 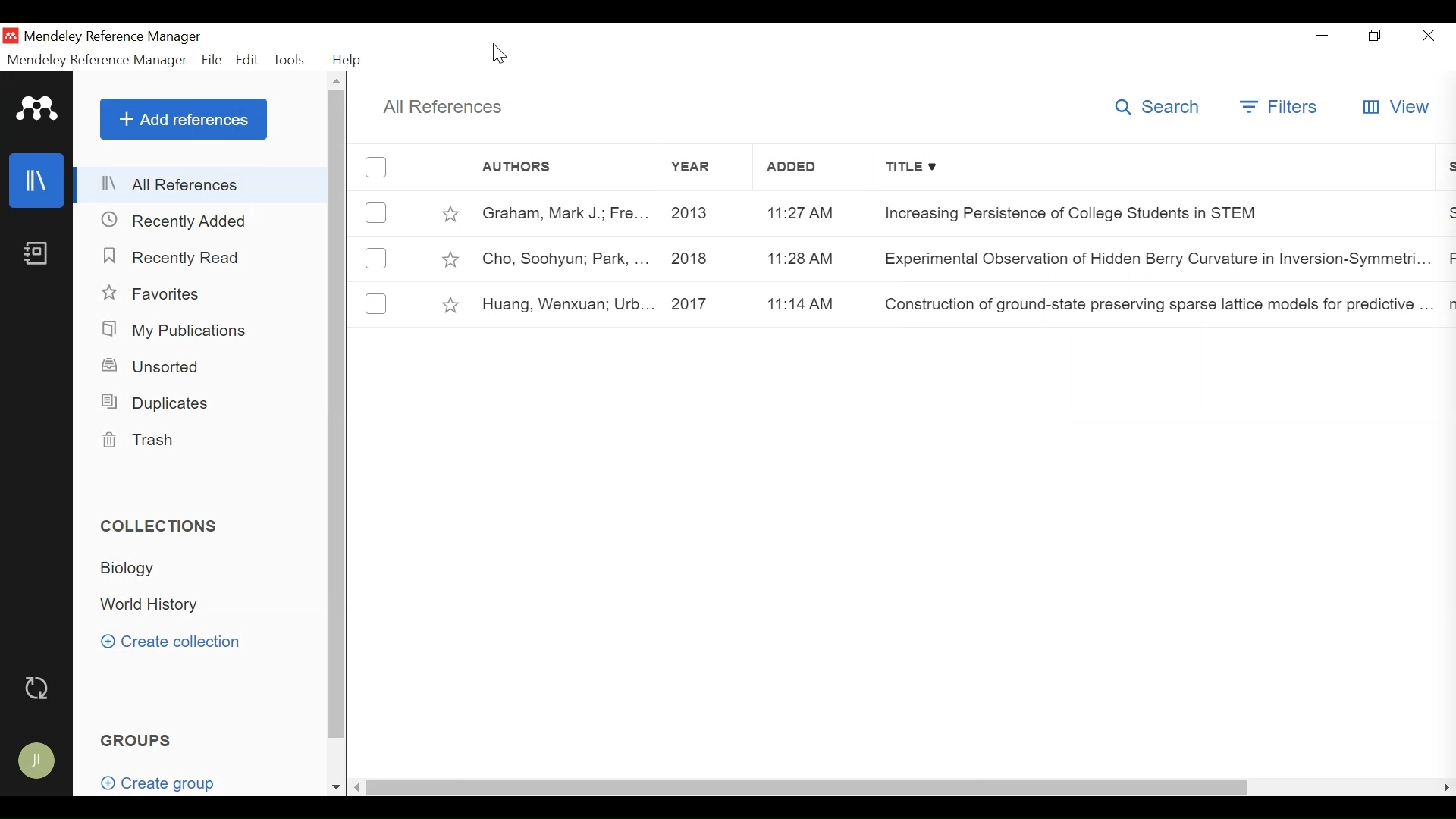 I want to click on Vertical Scroll bar, so click(x=809, y=788).